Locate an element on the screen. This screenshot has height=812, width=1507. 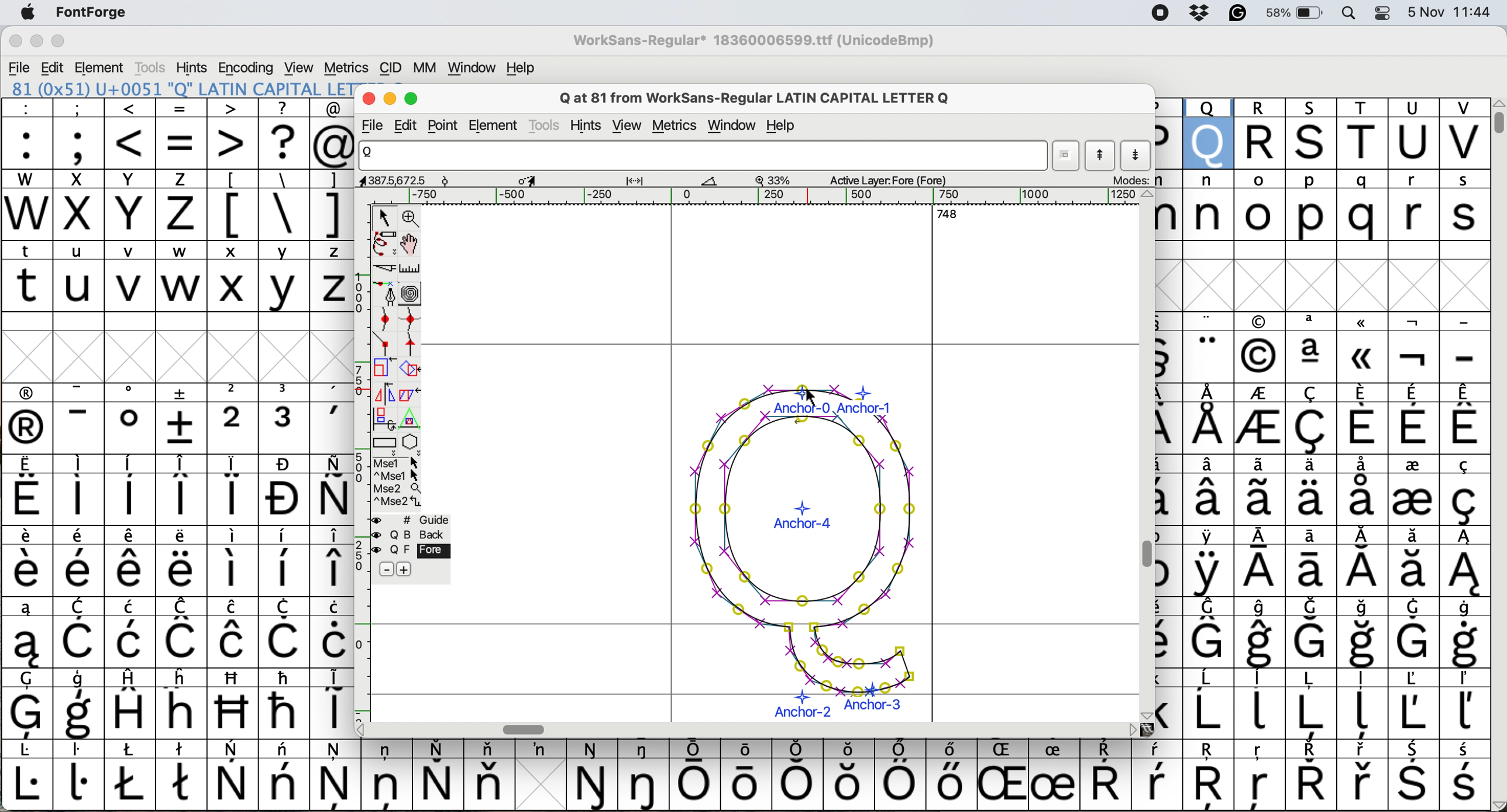
selector is located at coordinates (387, 218).